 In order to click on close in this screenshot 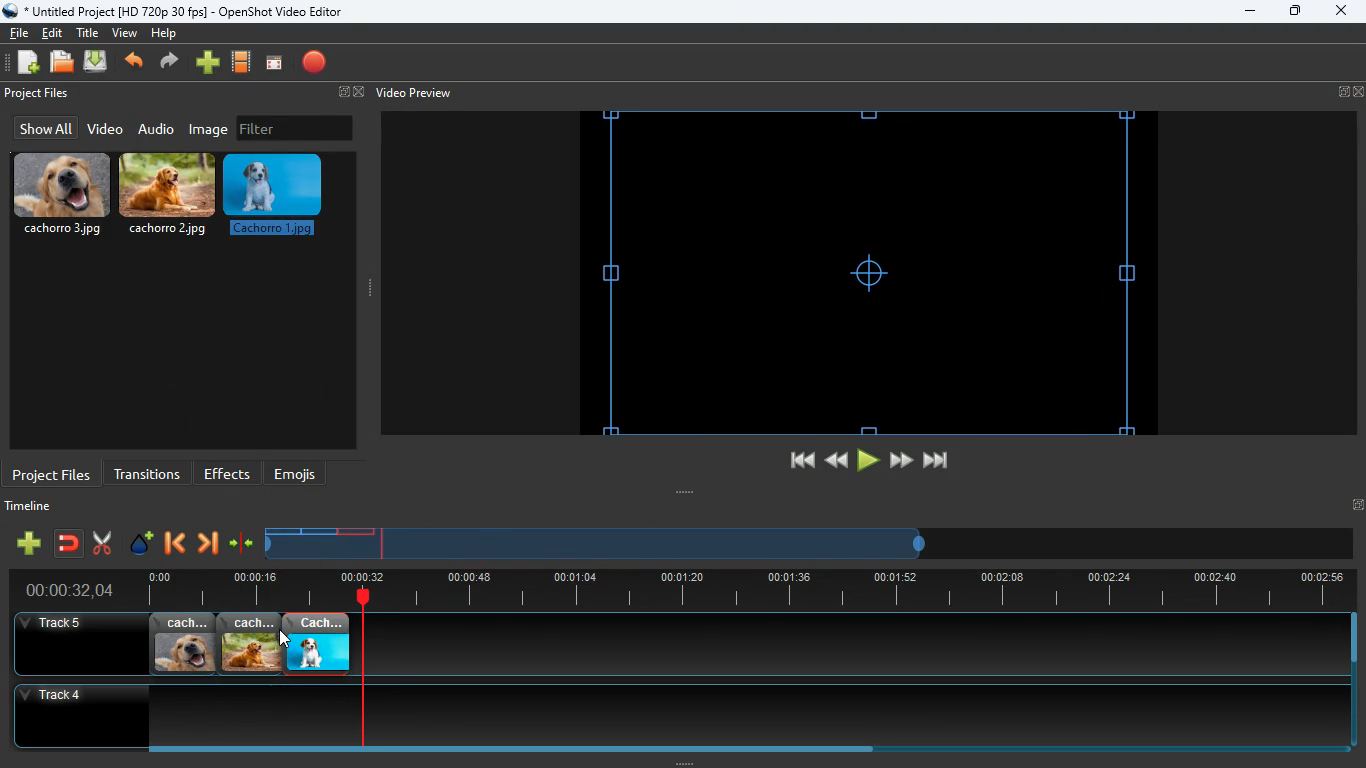, I will do `click(1340, 12)`.